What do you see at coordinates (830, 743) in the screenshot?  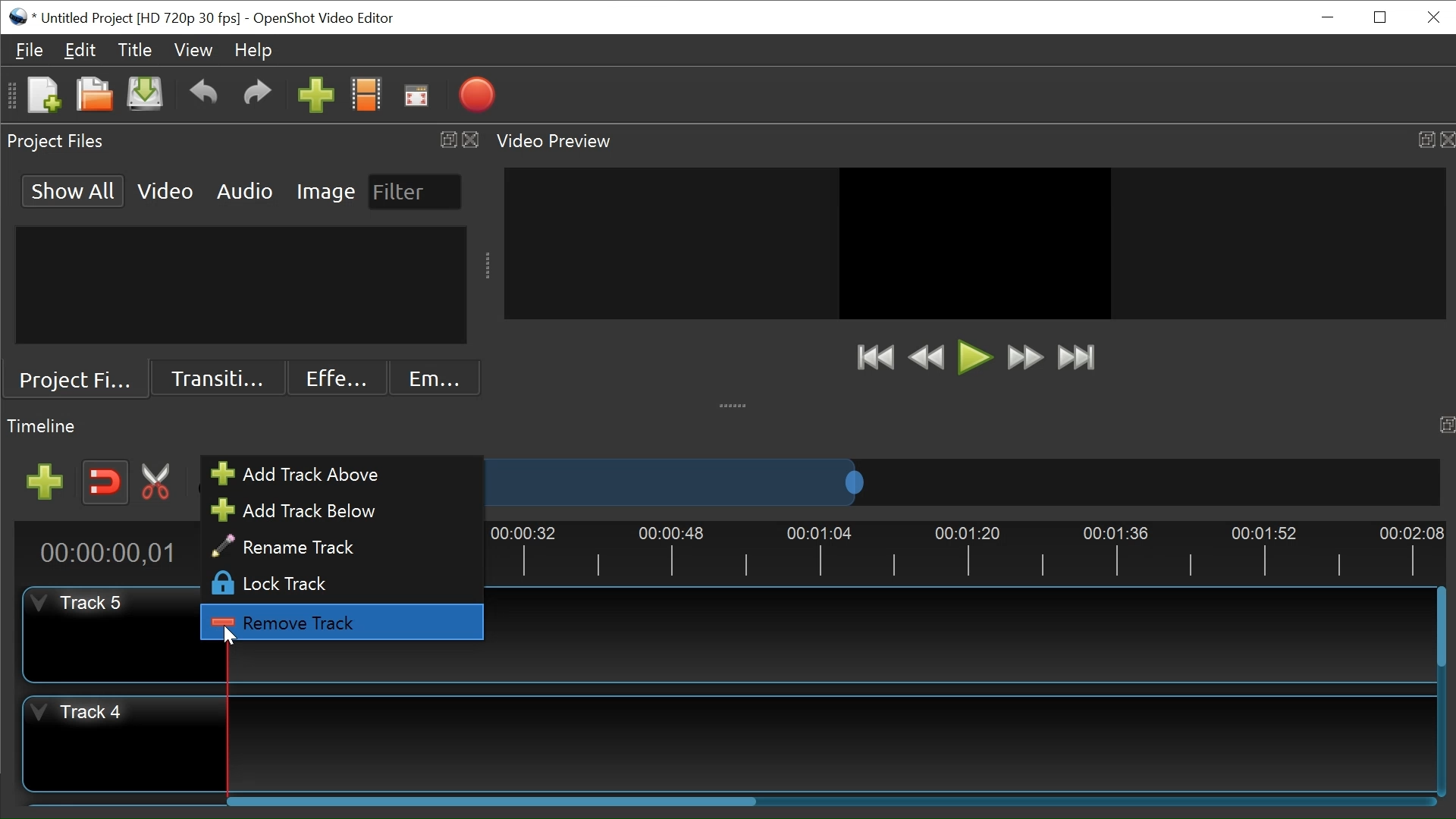 I see `Track Panel` at bounding box center [830, 743].